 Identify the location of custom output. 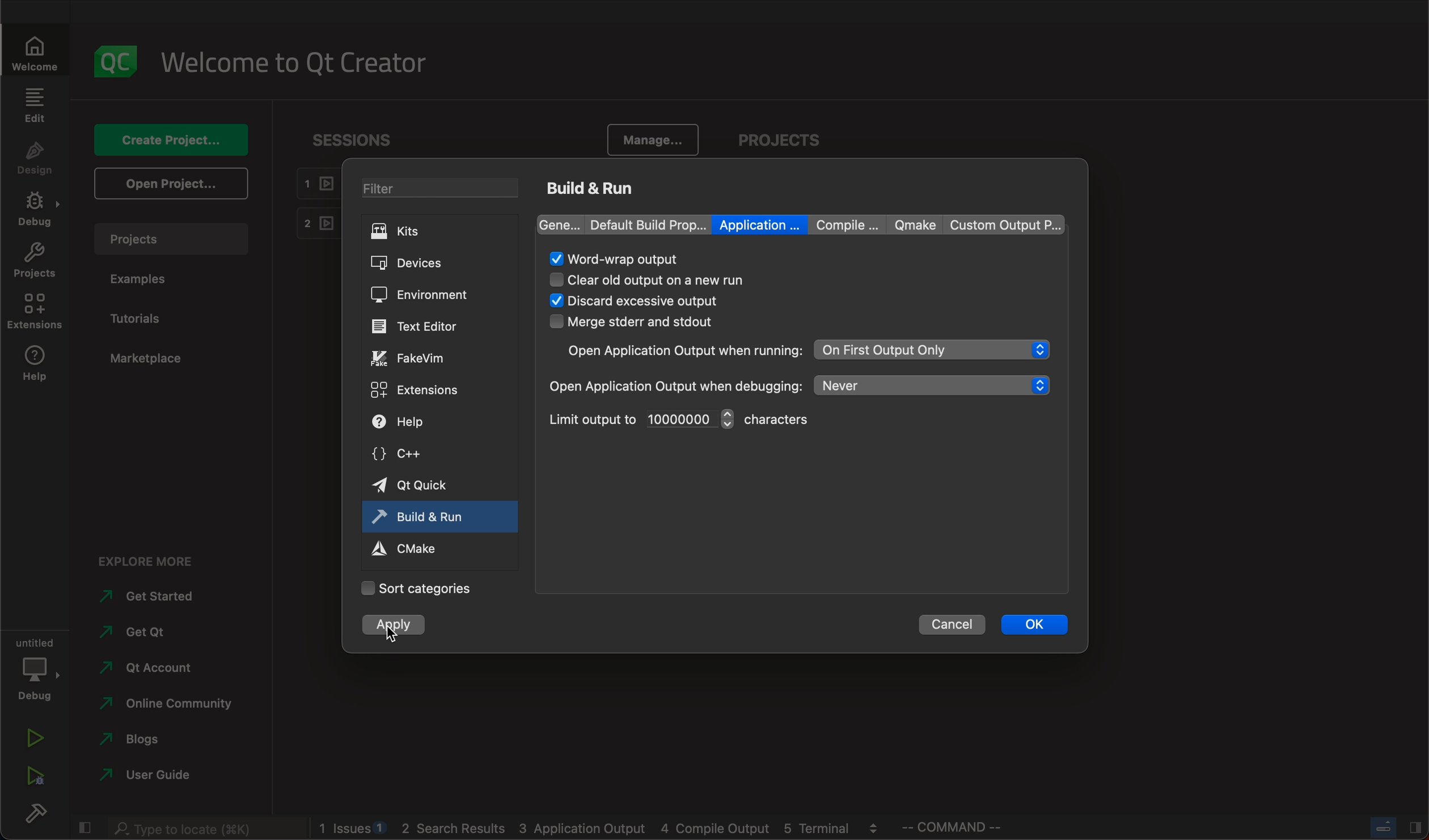
(999, 224).